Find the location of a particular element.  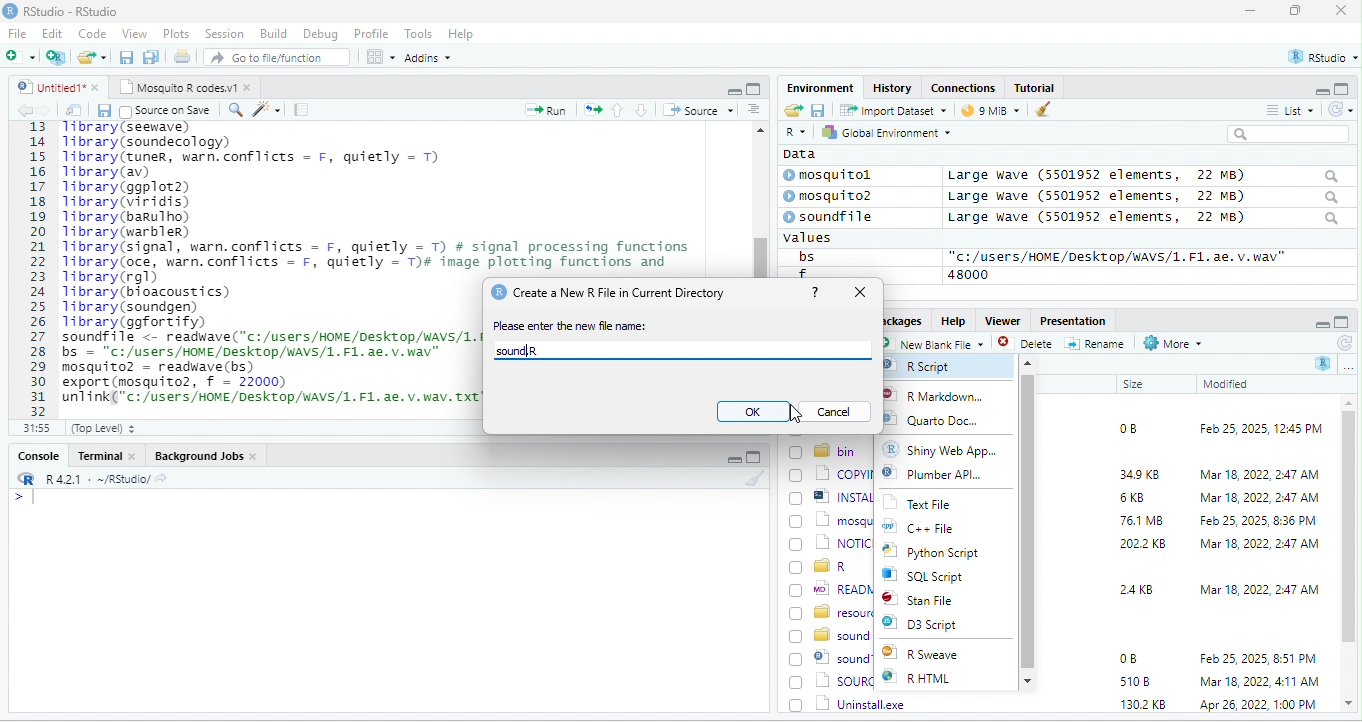

Help is located at coordinates (953, 319).